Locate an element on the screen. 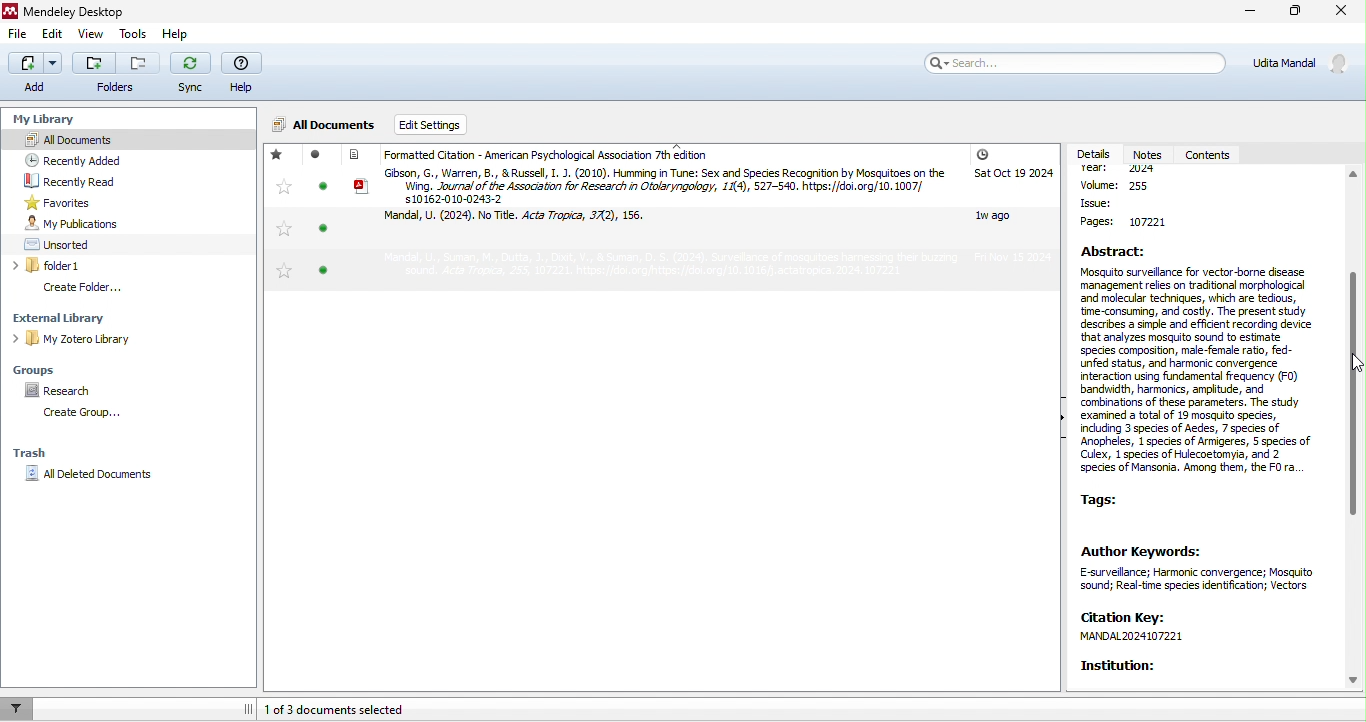 The width and height of the screenshot is (1366, 722). volume is located at coordinates (1132, 187).